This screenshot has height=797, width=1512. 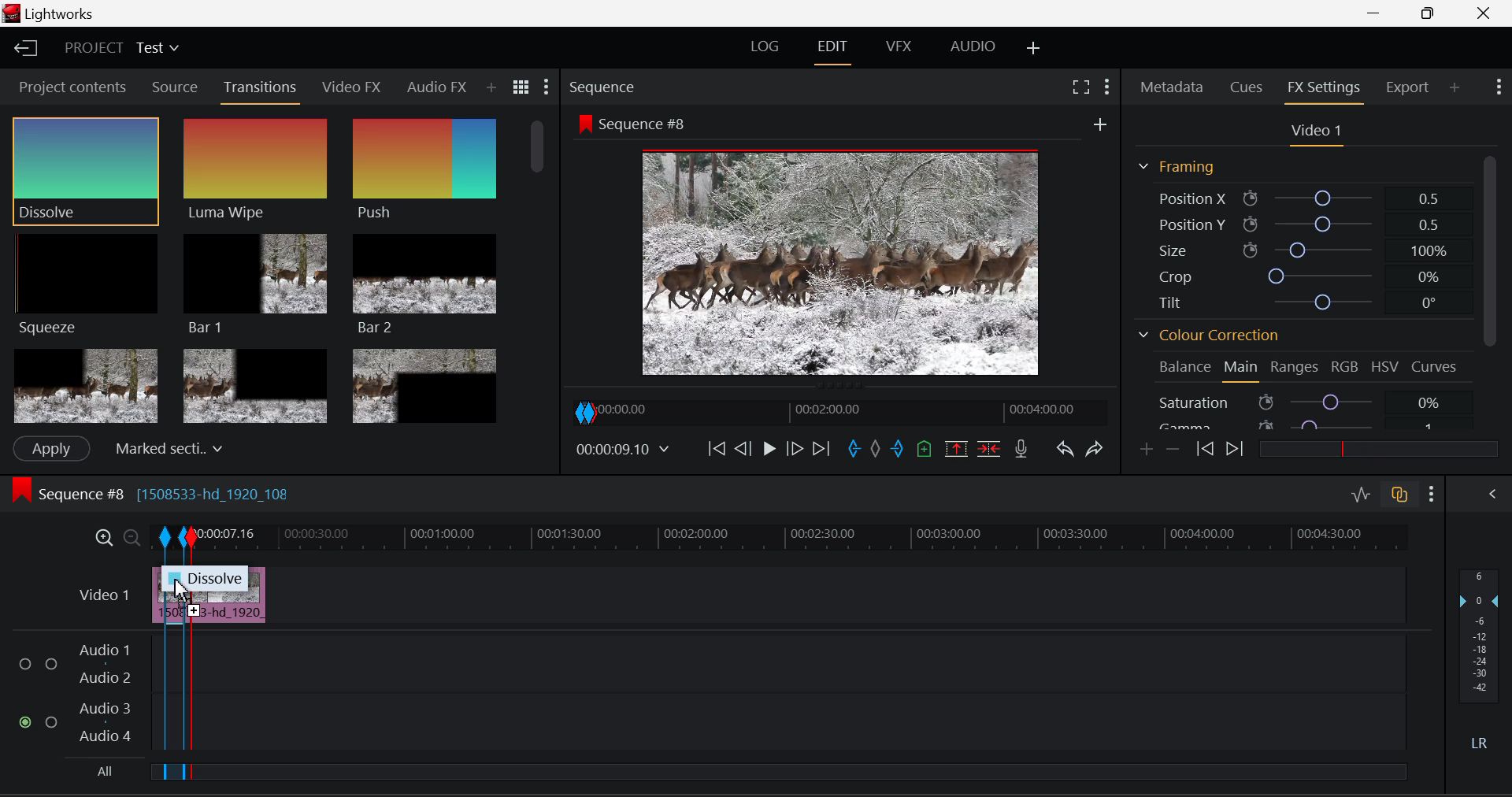 What do you see at coordinates (1083, 87) in the screenshot?
I see `Full Screen` at bounding box center [1083, 87].